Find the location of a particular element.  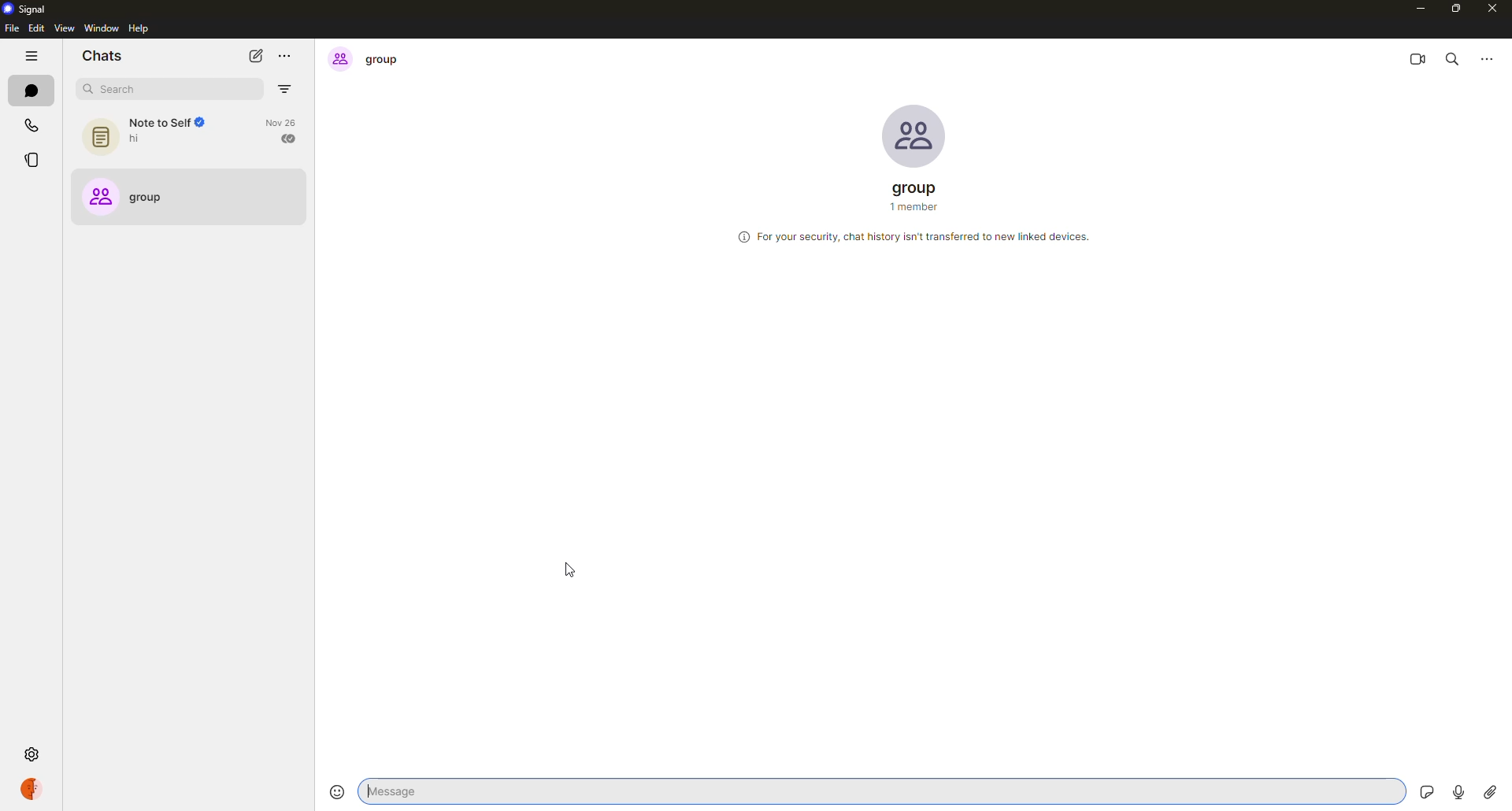

file is located at coordinates (11, 28).